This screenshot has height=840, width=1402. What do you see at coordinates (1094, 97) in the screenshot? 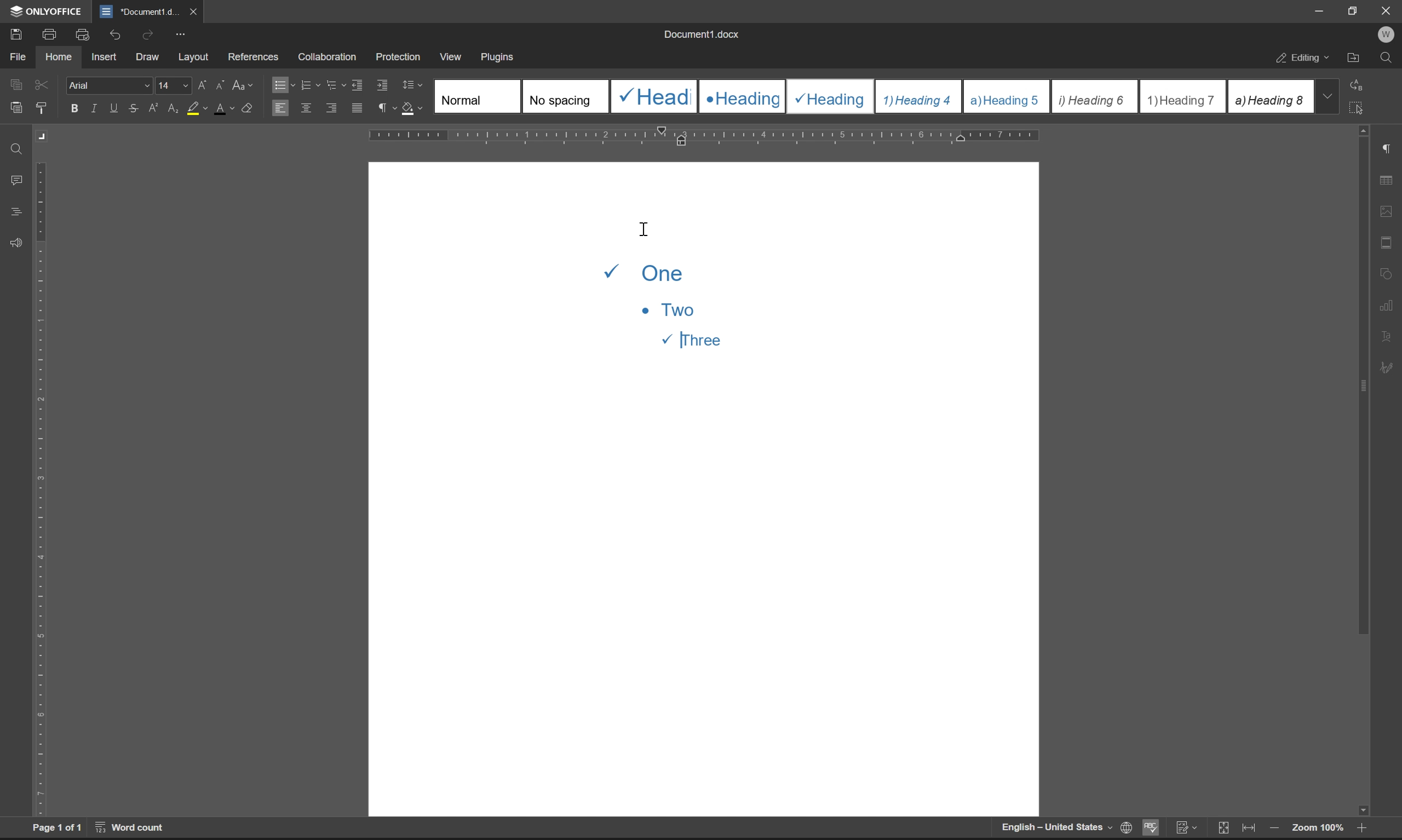
I see `Heading 6` at bounding box center [1094, 97].